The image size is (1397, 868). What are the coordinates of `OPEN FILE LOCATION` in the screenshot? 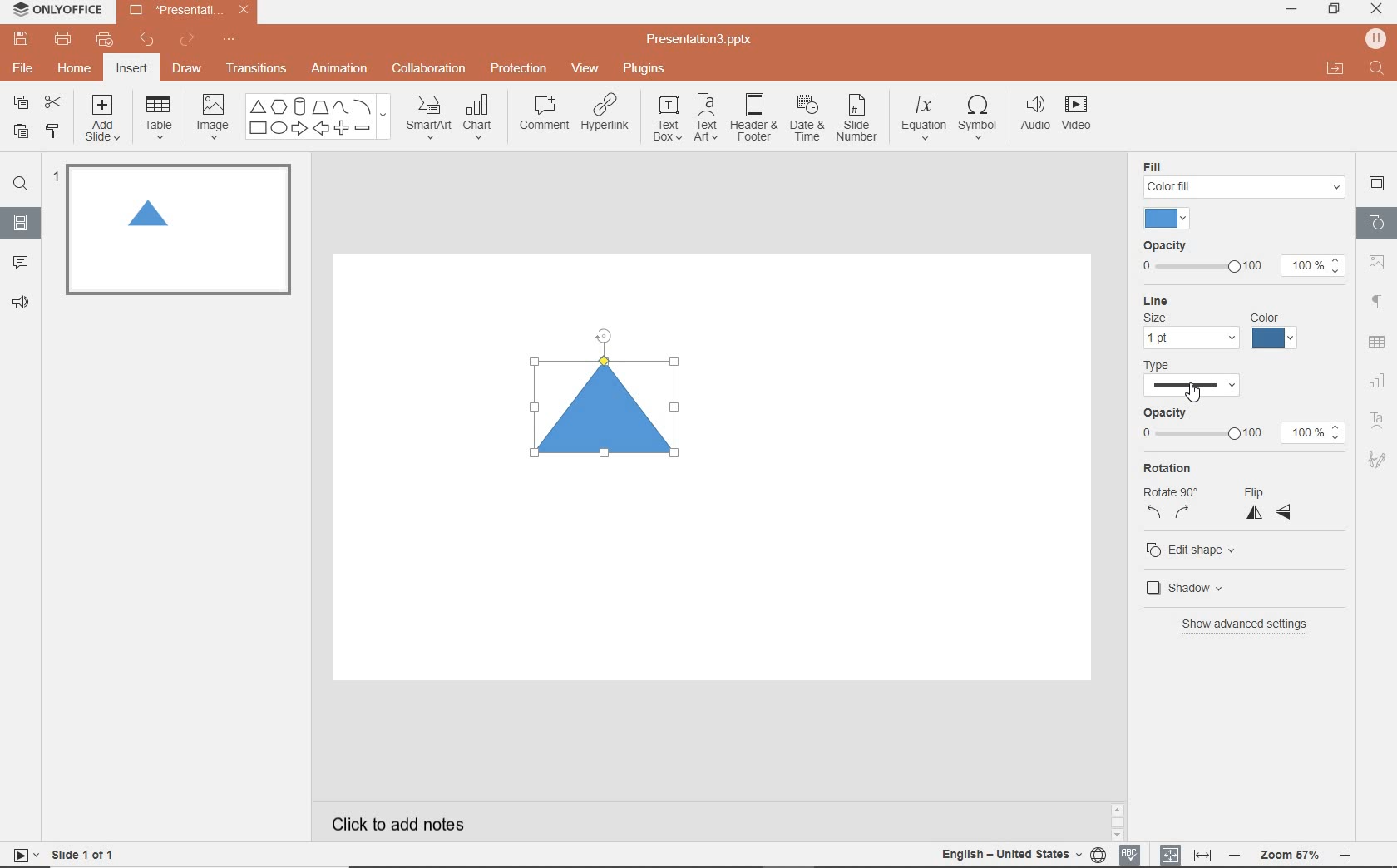 It's located at (1335, 68).